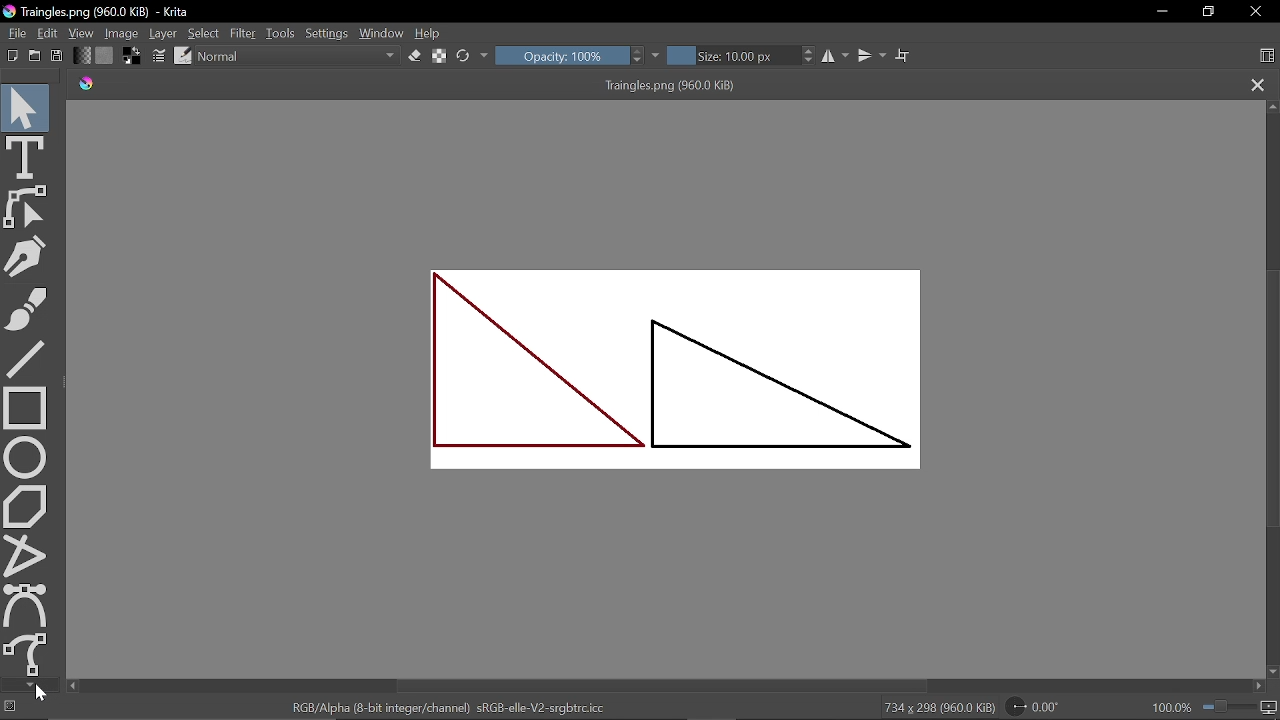 The image size is (1280, 720). What do you see at coordinates (734, 56) in the screenshot?
I see `Size: 10.00 px` at bounding box center [734, 56].